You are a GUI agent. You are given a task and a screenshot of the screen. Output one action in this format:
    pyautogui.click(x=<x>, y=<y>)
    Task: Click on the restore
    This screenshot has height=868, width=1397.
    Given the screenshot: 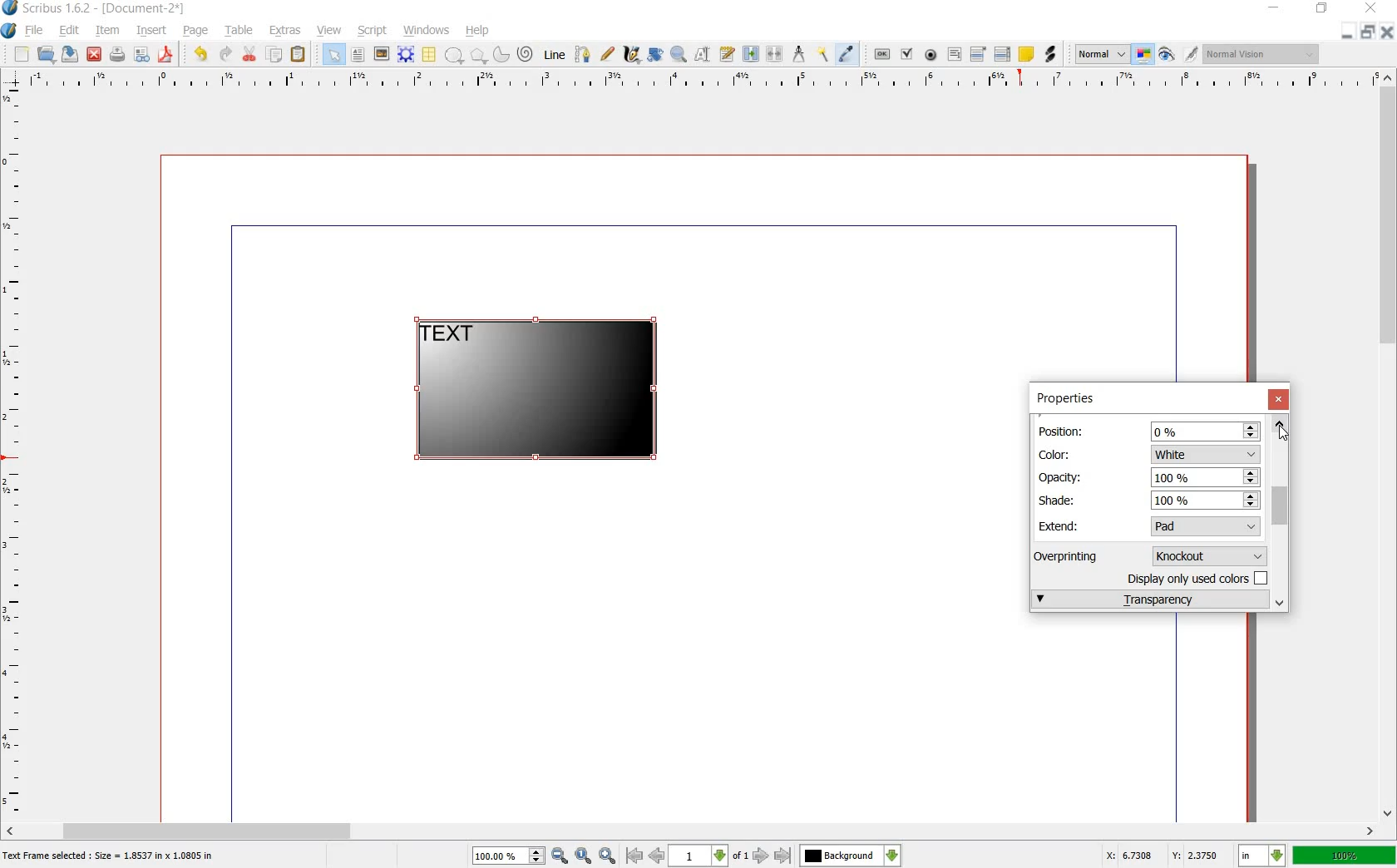 What is the action you would take?
    pyautogui.click(x=1367, y=33)
    